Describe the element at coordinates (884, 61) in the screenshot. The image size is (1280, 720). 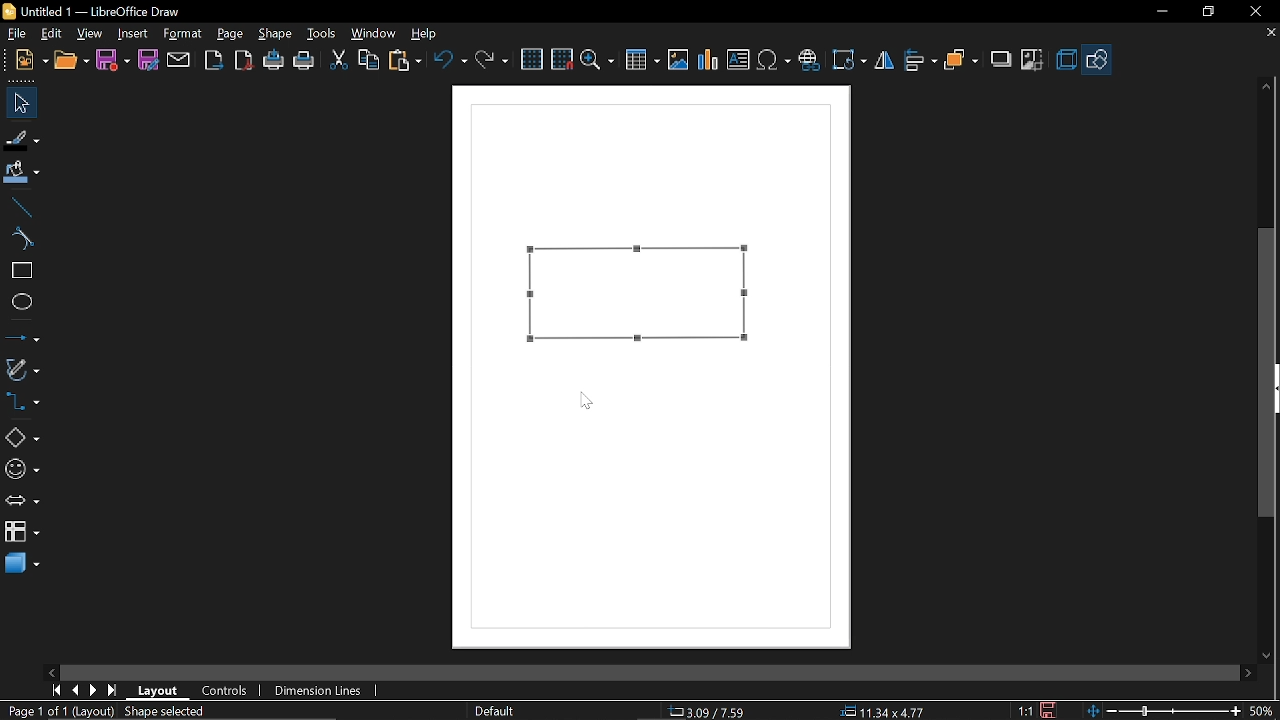
I see `flip` at that location.